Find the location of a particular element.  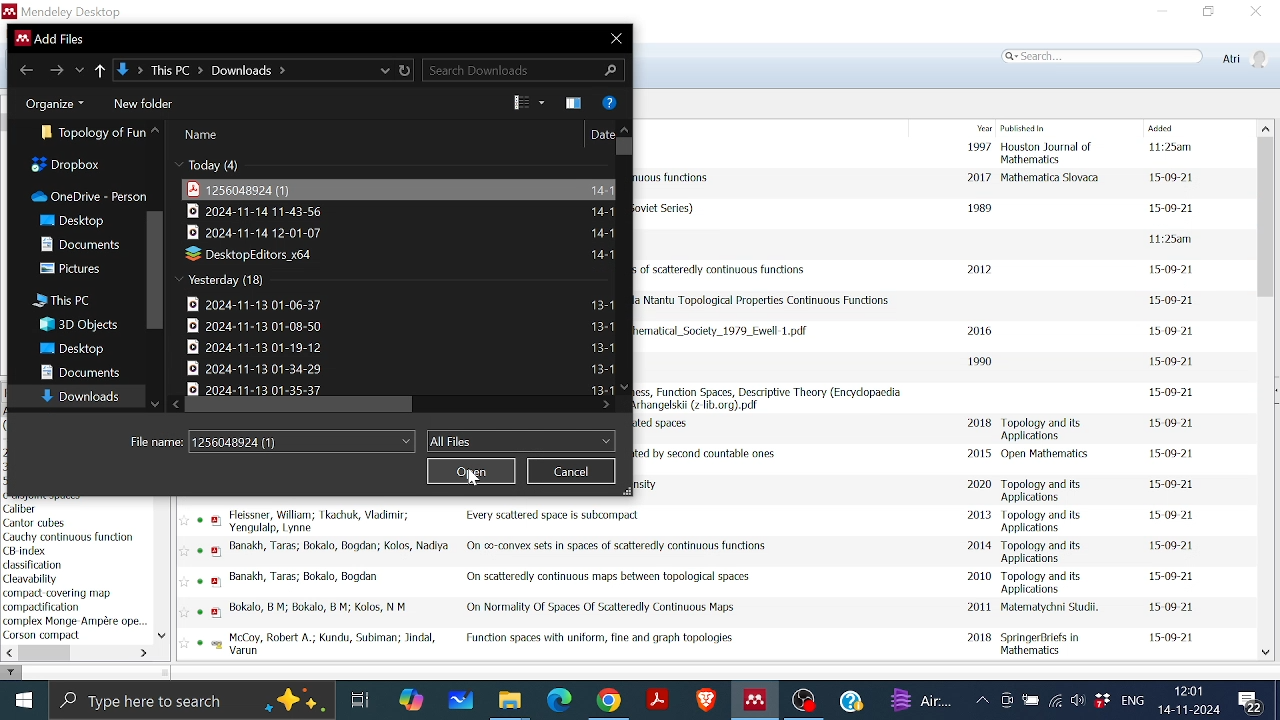

Desktop is located at coordinates (86, 347).